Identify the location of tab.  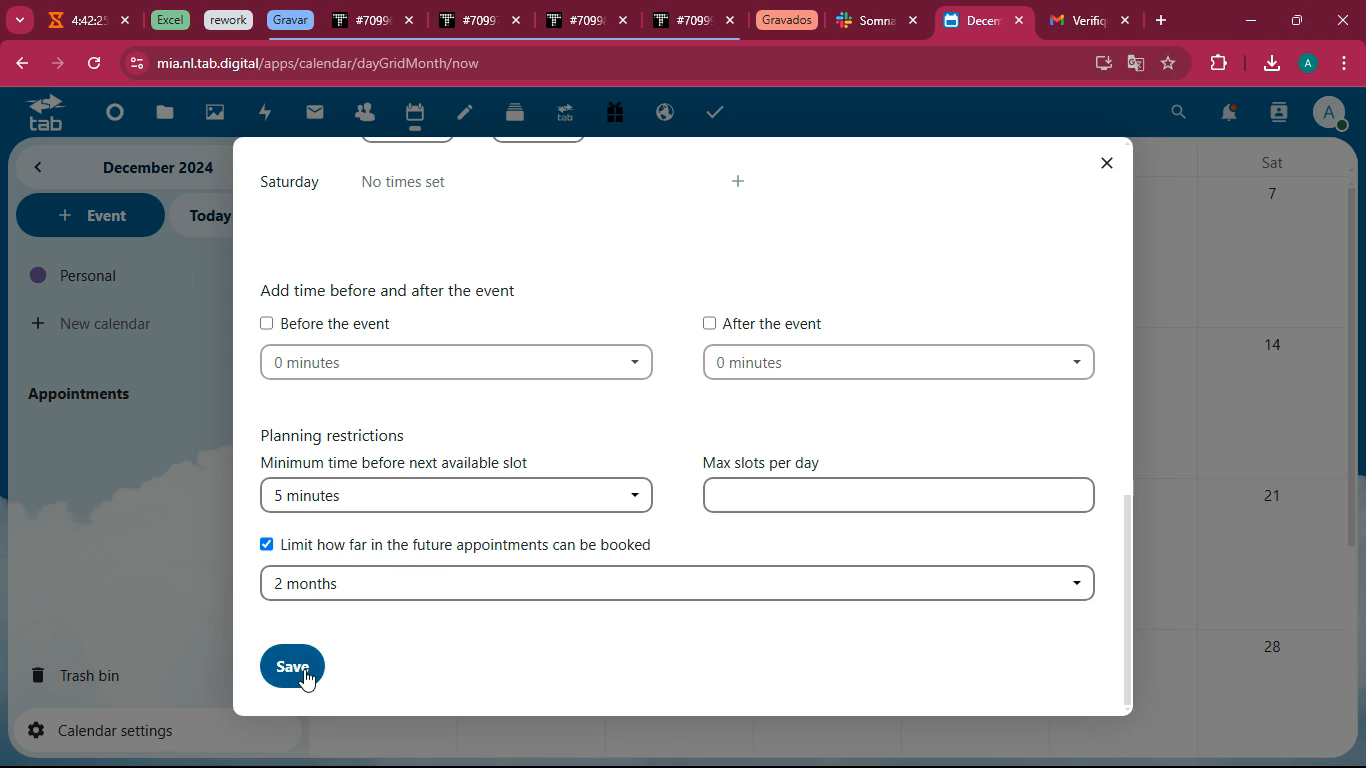
(229, 21).